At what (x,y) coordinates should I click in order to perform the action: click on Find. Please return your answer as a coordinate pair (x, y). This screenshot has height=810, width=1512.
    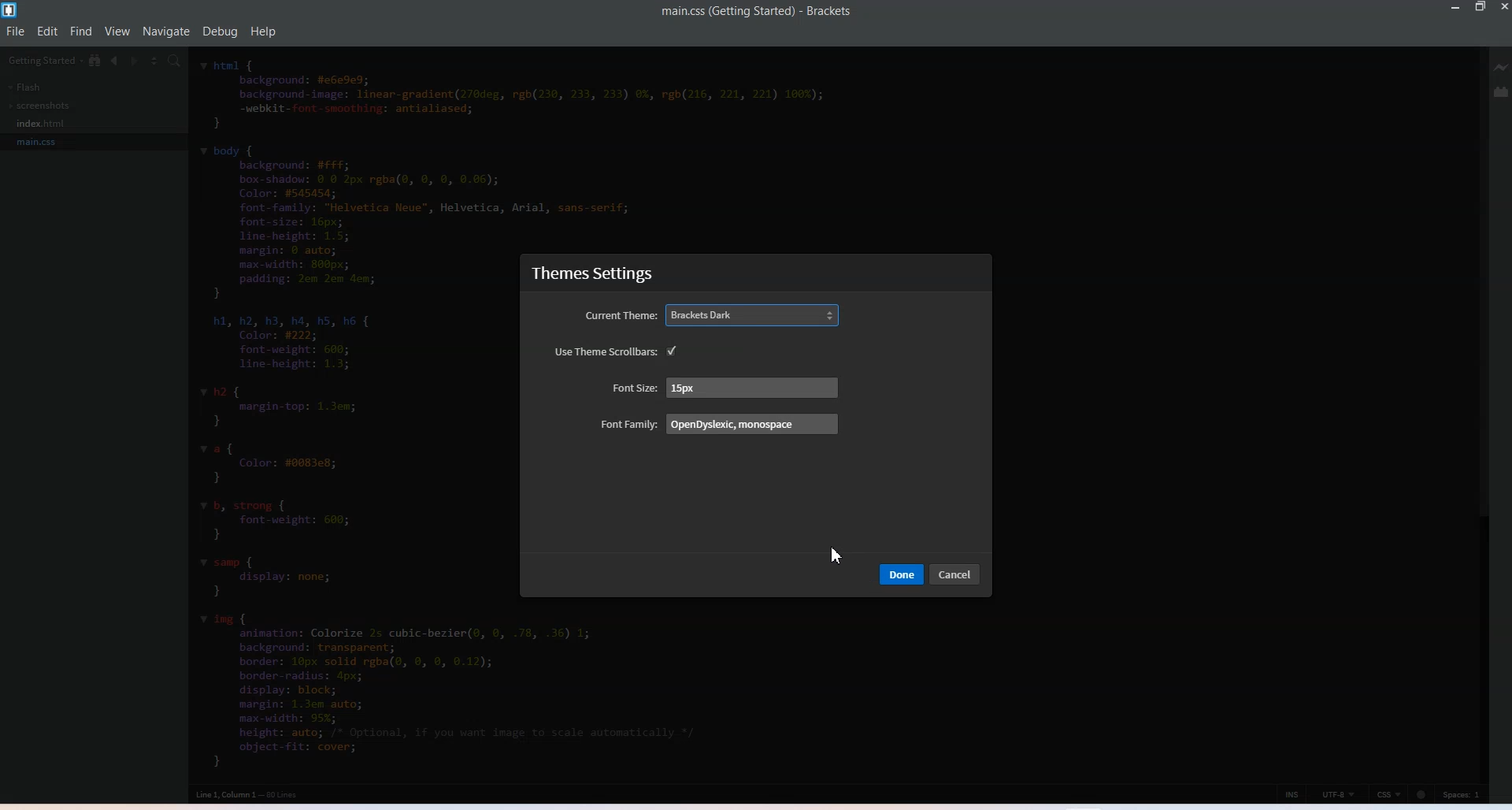
    Looking at the image, I should click on (82, 31).